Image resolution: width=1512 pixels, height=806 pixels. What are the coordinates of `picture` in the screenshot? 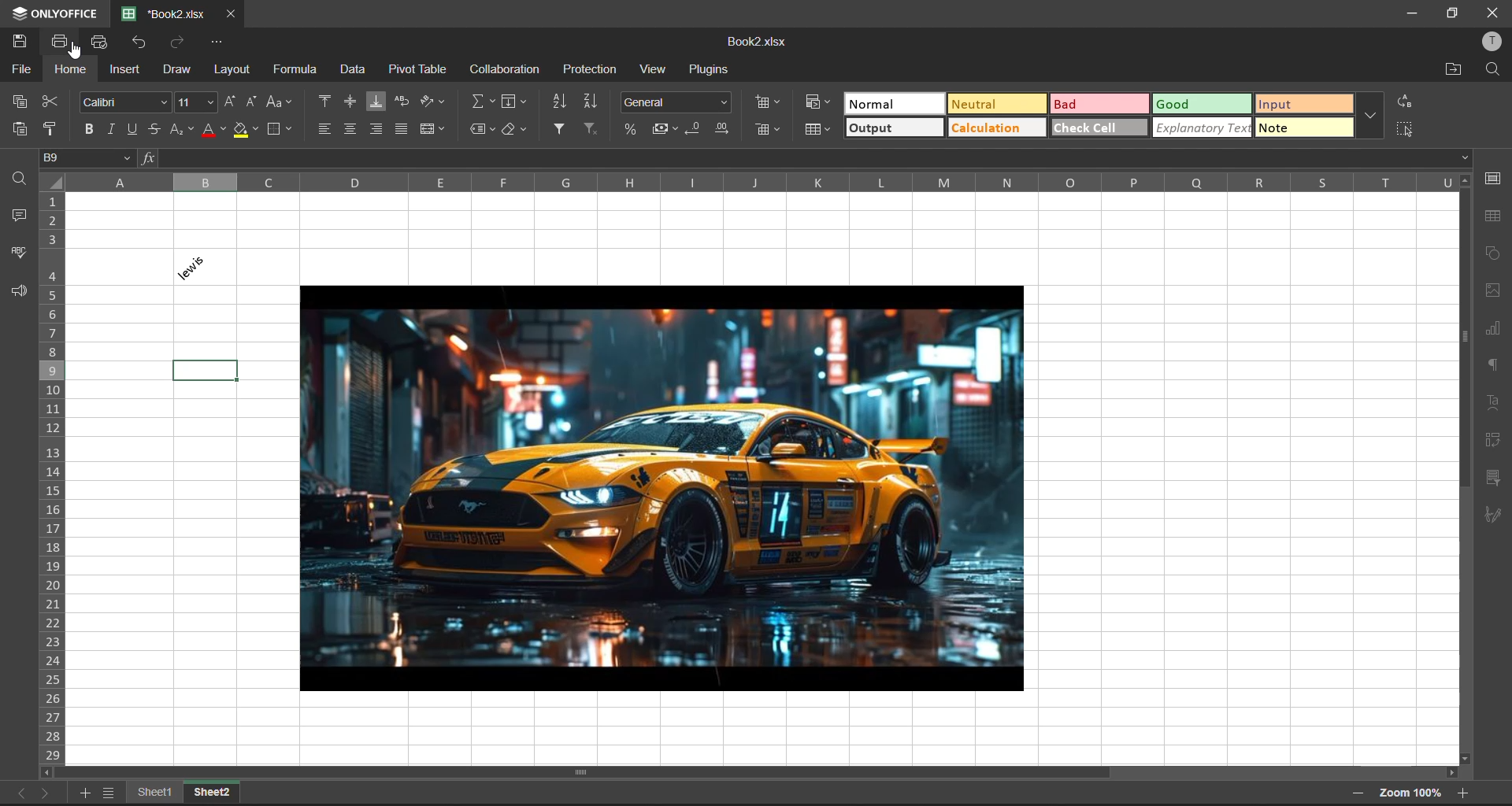 It's located at (665, 489).